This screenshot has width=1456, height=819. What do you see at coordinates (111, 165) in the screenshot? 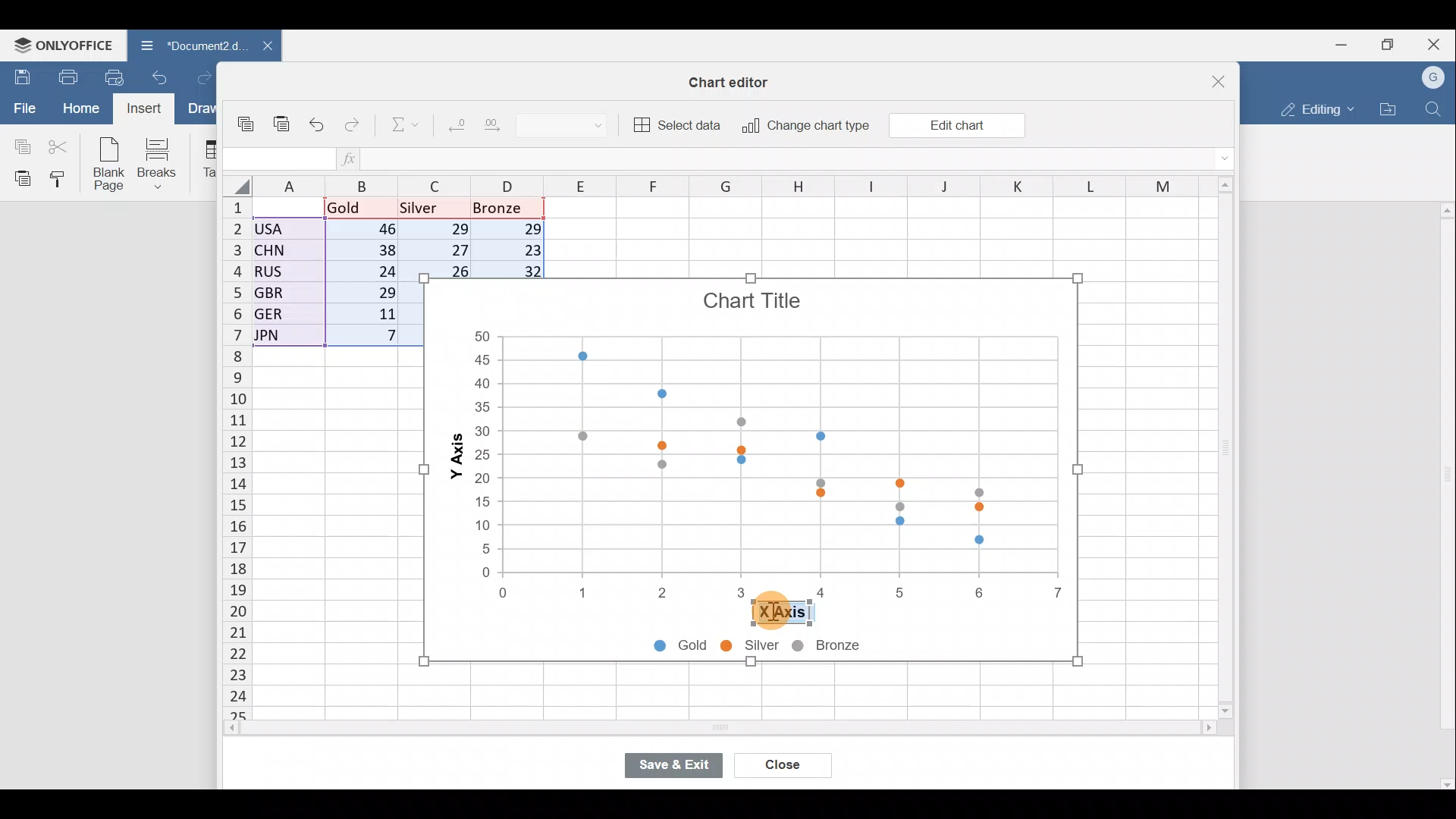
I see `Blank page` at bounding box center [111, 165].